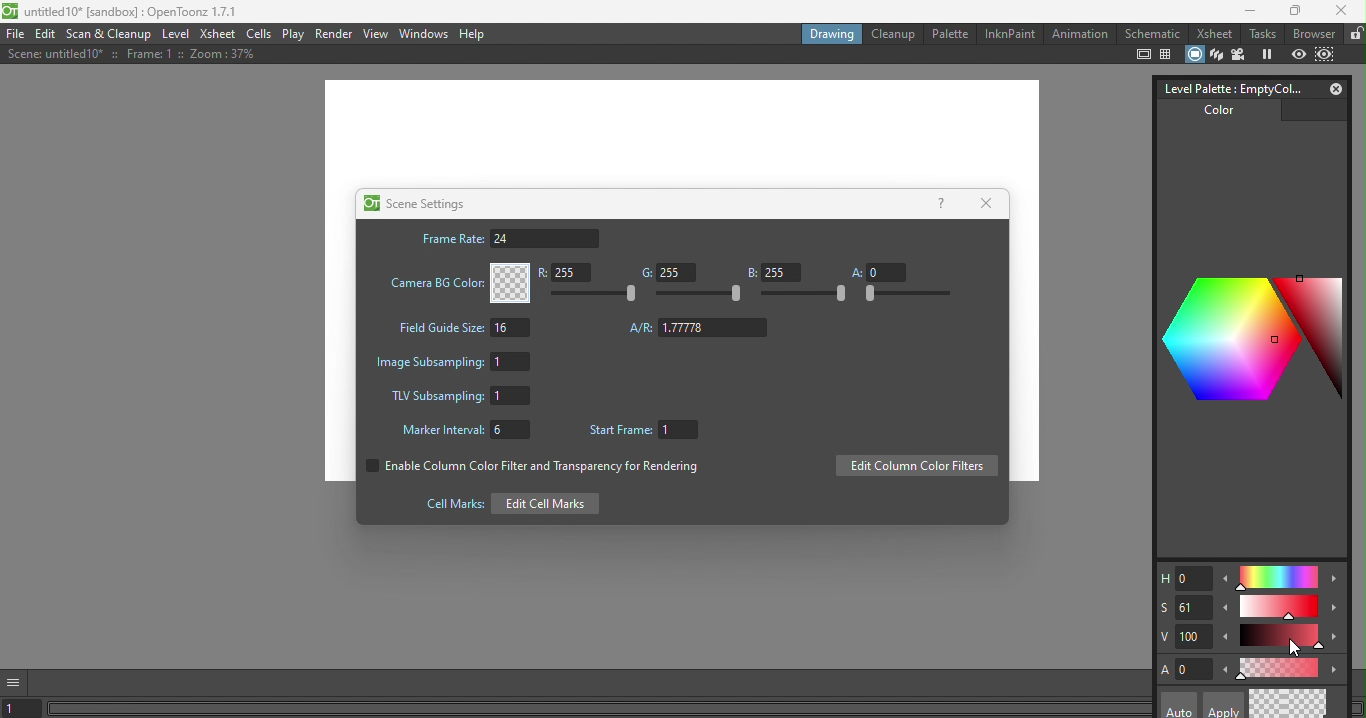 This screenshot has height=718, width=1366. What do you see at coordinates (940, 202) in the screenshot?
I see `Help` at bounding box center [940, 202].